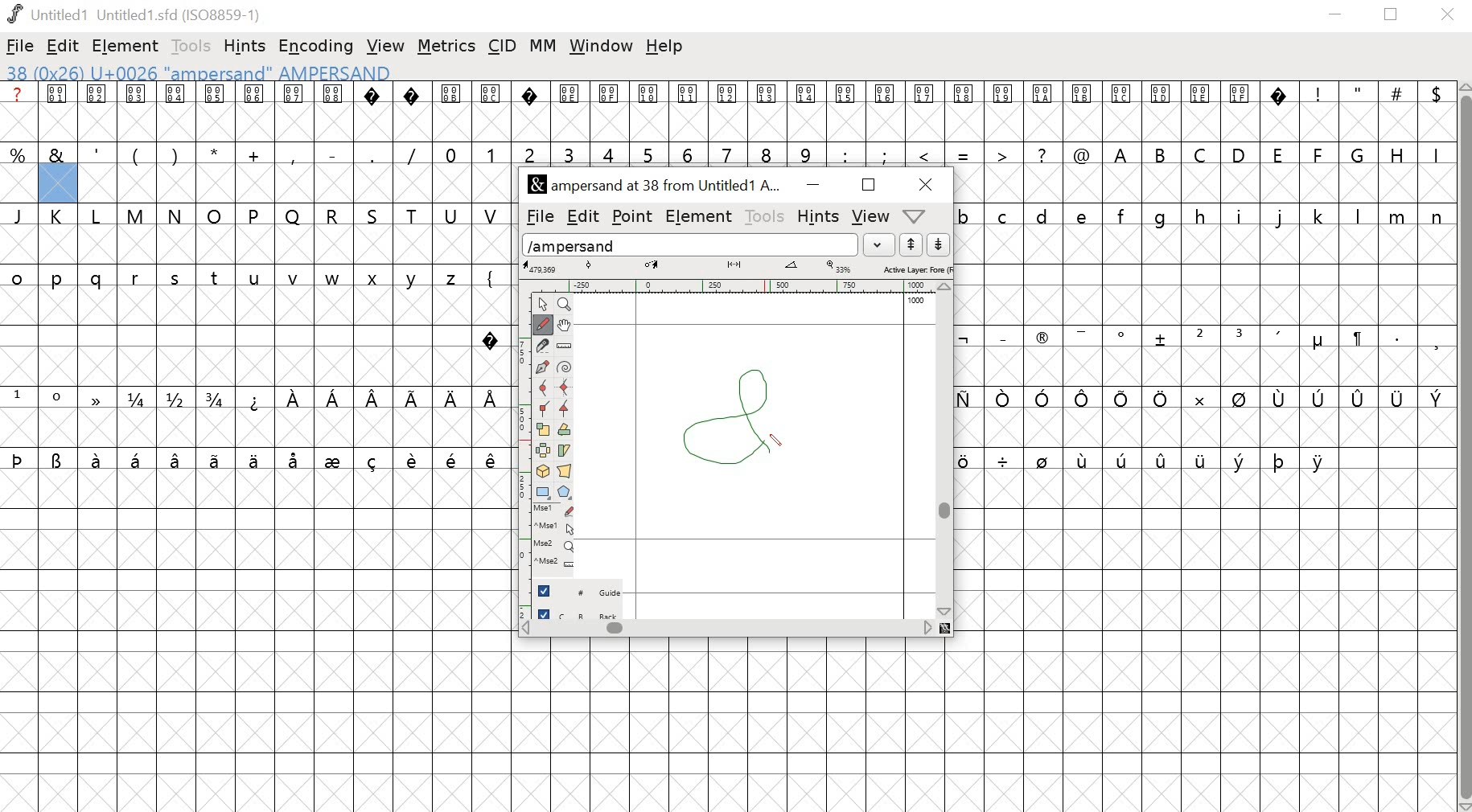 The width and height of the screenshot is (1472, 812). What do you see at coordinates (735, 415) in the screenshot?
I see `drawing glyphy` at bounding box center [735, 415].